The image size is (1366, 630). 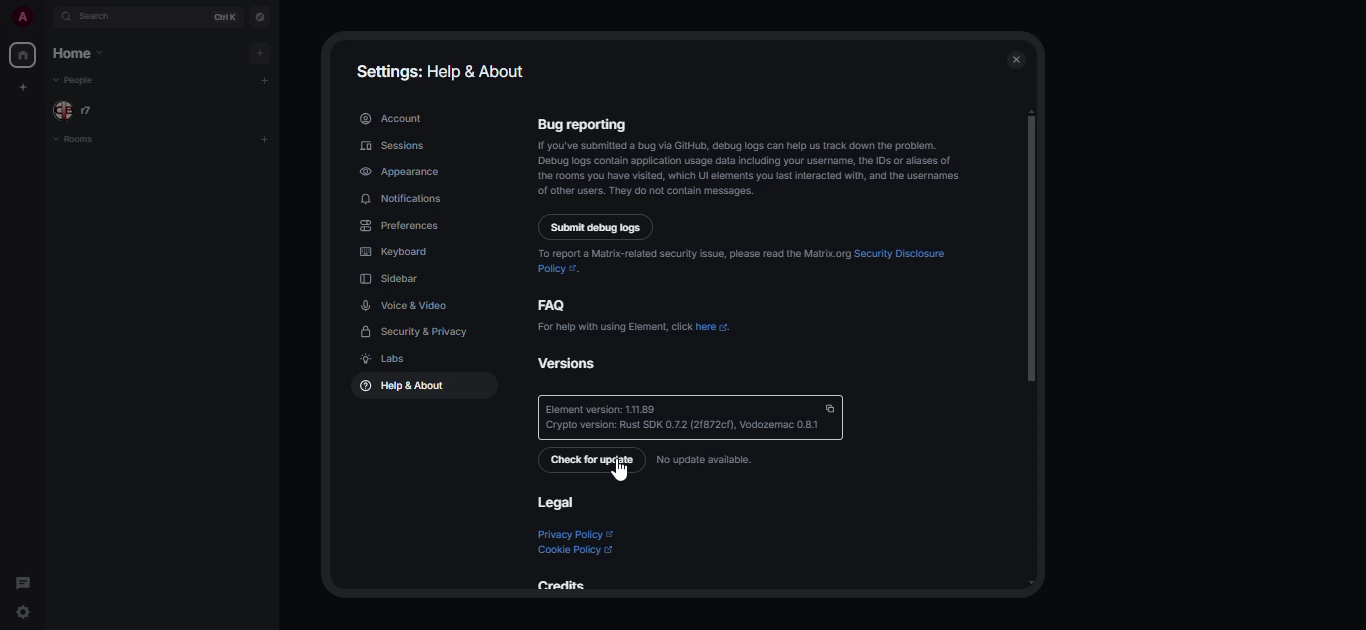 I want to click on keyboard, so click(x=394, y=250).